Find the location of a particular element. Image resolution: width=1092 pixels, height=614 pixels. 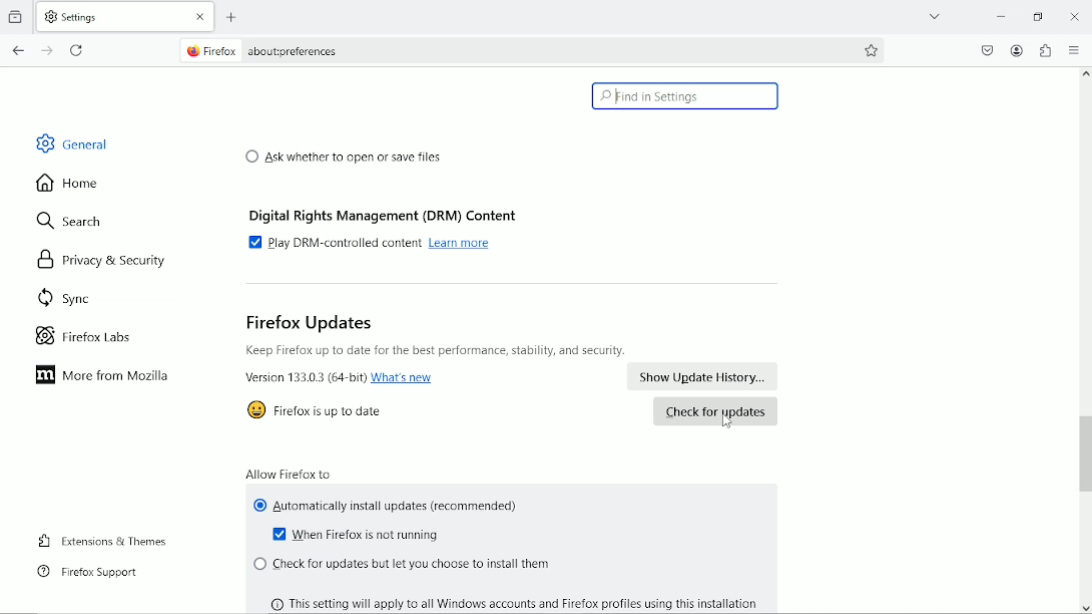

bookmark this page is located at coordinates (872, 48).